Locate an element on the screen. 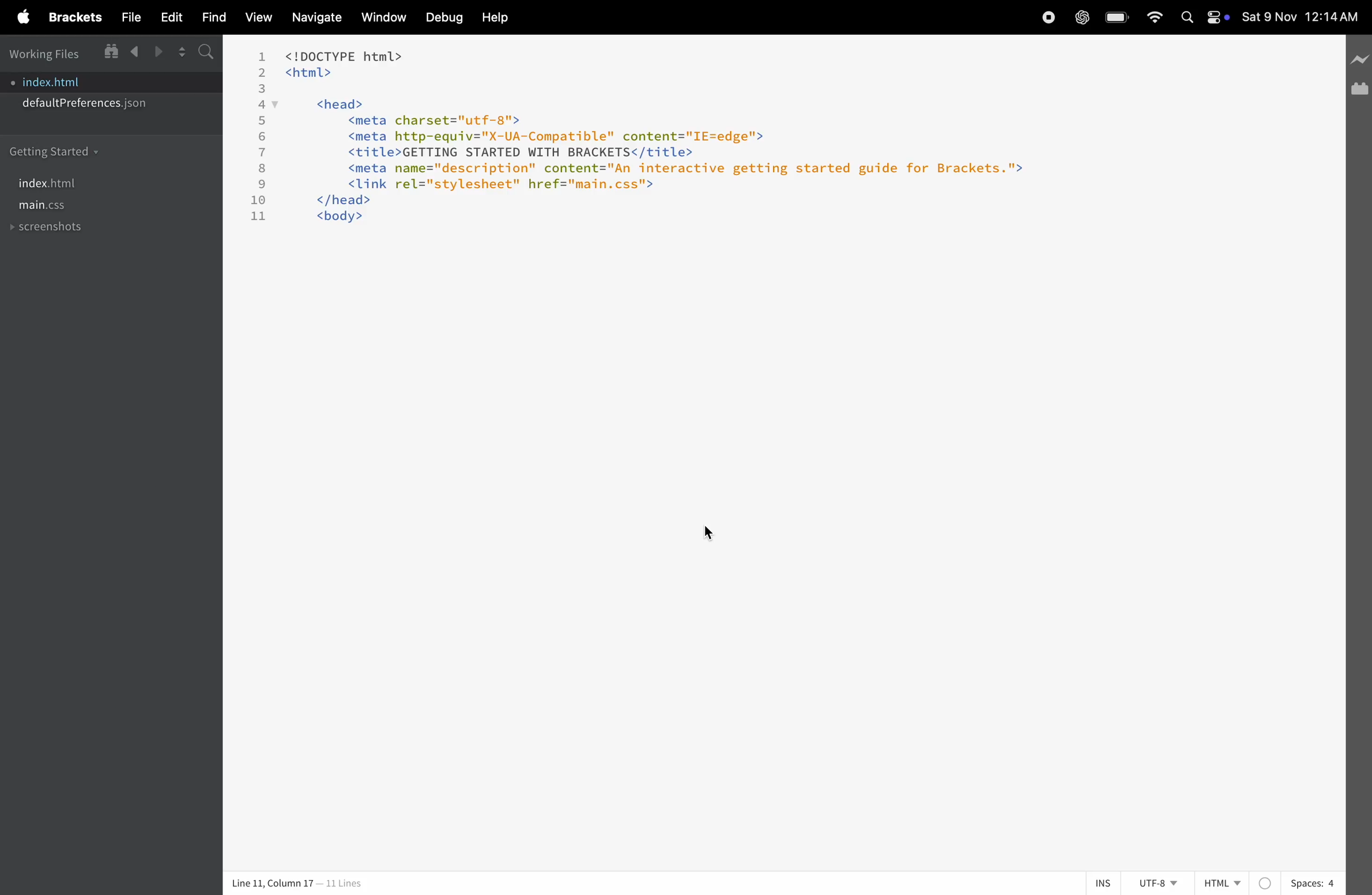 This screenshot has height=895, width=1372. chatgpt is located at coordinates (1083, 17).